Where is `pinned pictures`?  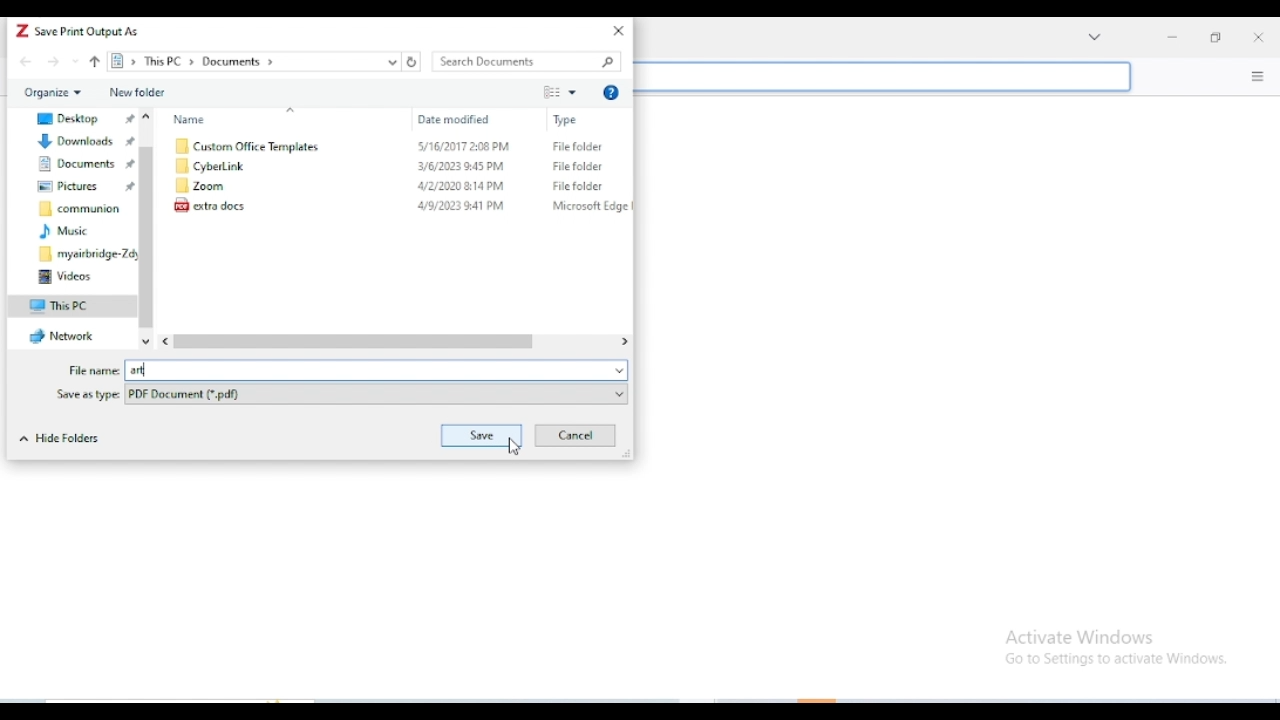
pinned pictures is located at coordinates (84, 185).